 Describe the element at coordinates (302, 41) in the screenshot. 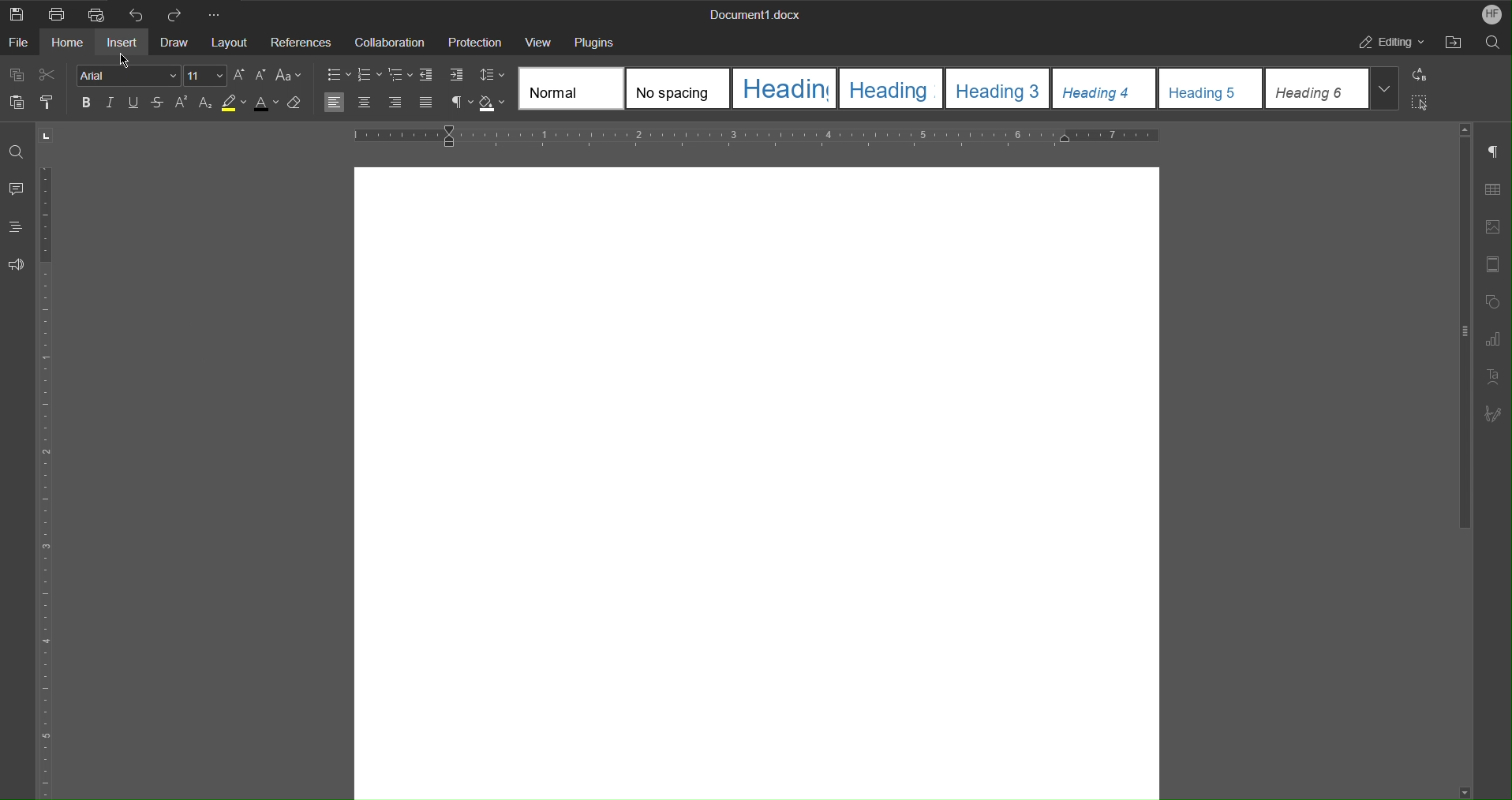

I see `References` at that location.